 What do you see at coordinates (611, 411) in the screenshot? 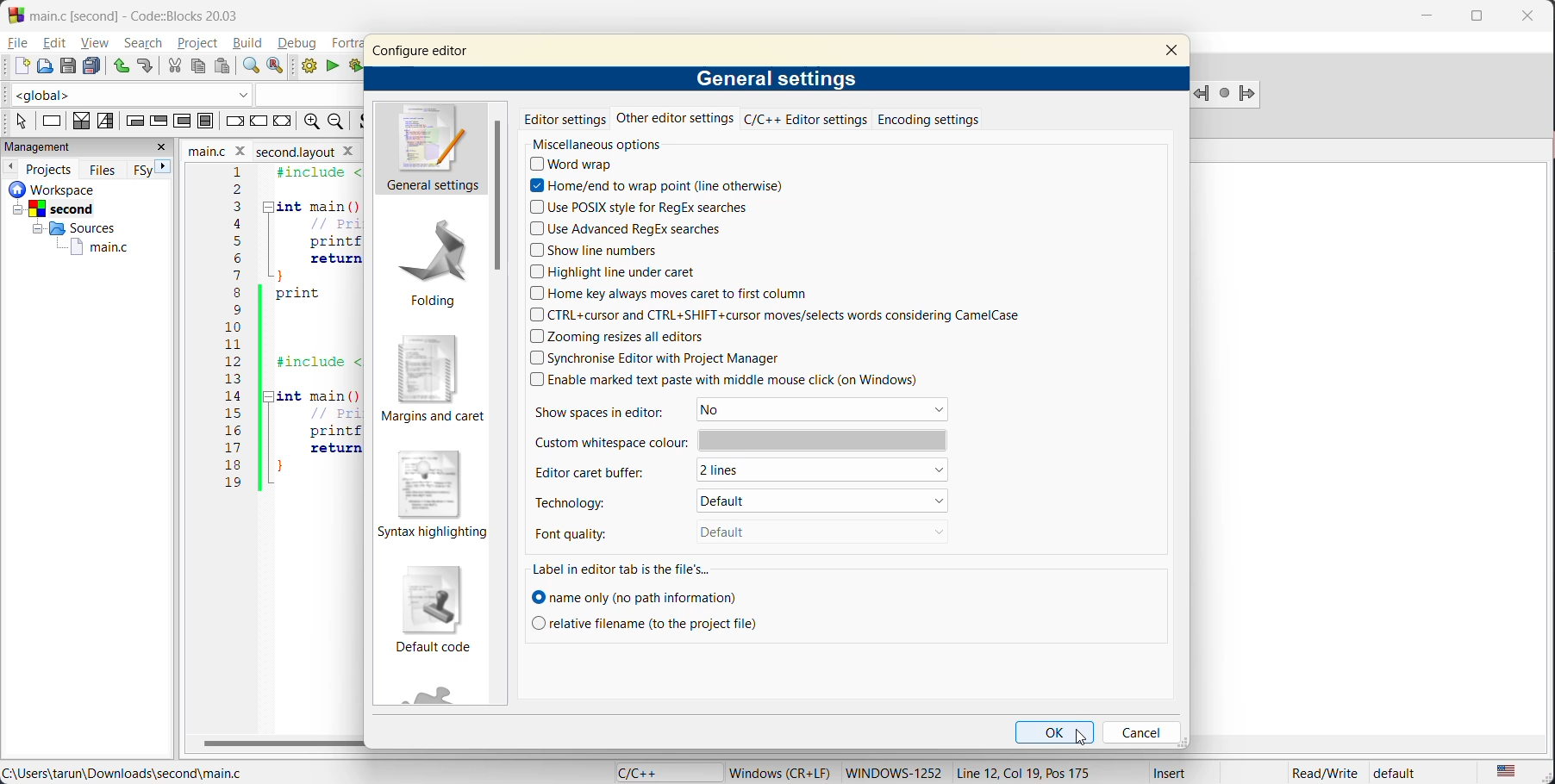
I see `show spaces in editor` at bounding box center [611, 411].